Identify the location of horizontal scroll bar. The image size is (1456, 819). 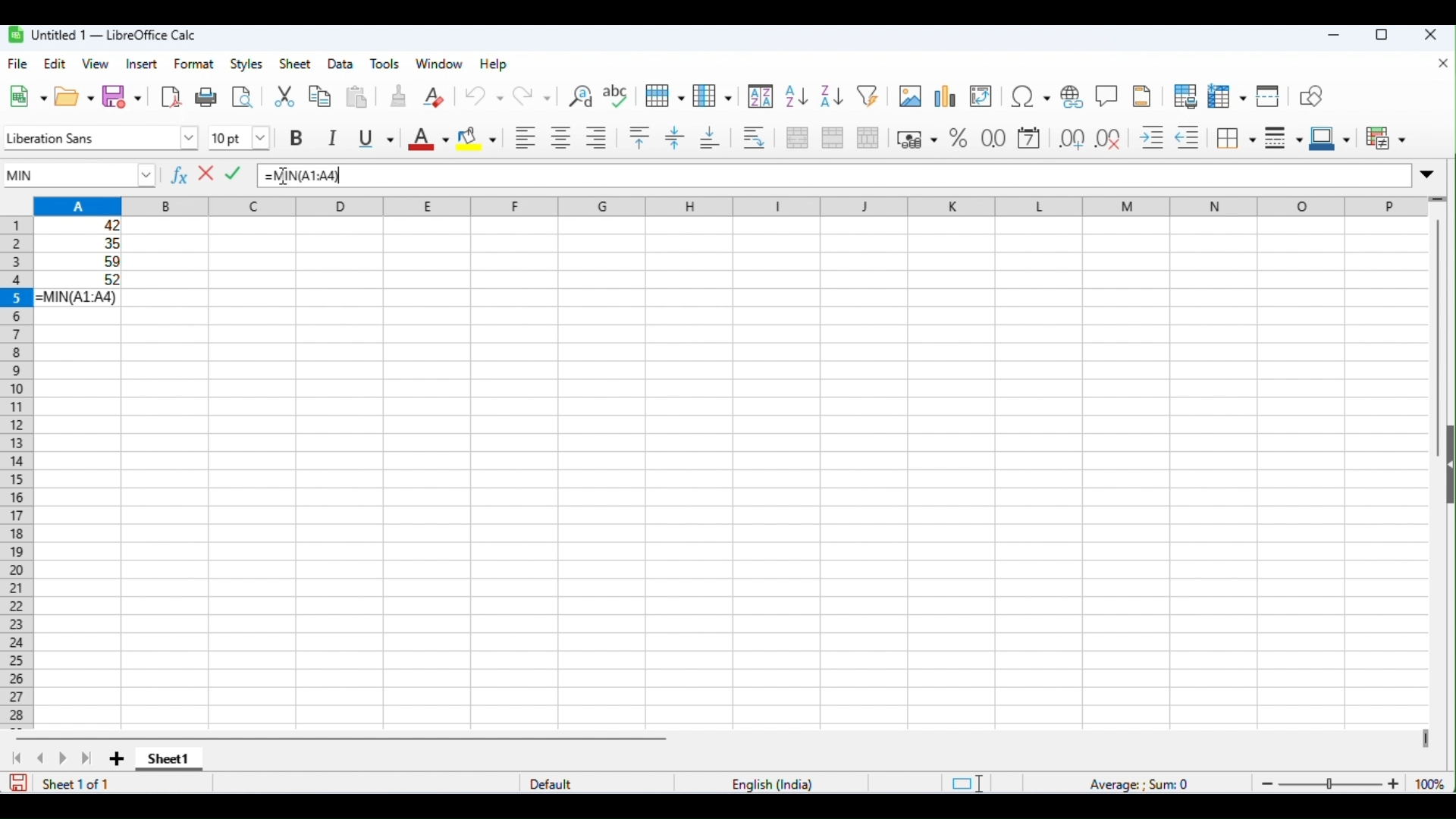
(346, 739).